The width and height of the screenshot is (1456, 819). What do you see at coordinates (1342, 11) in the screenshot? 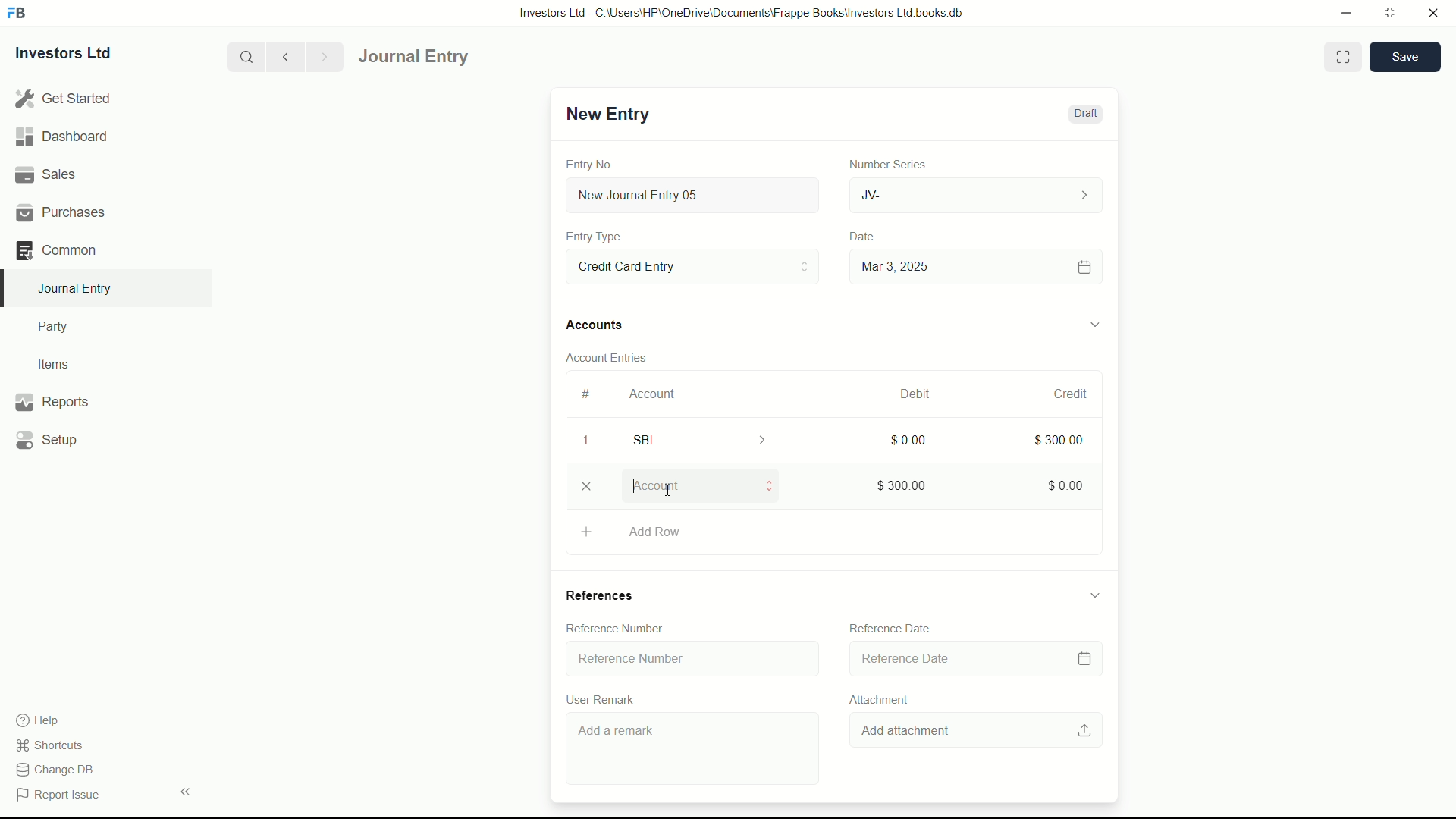
I see `minimize` at bounding box center [1342, 11].